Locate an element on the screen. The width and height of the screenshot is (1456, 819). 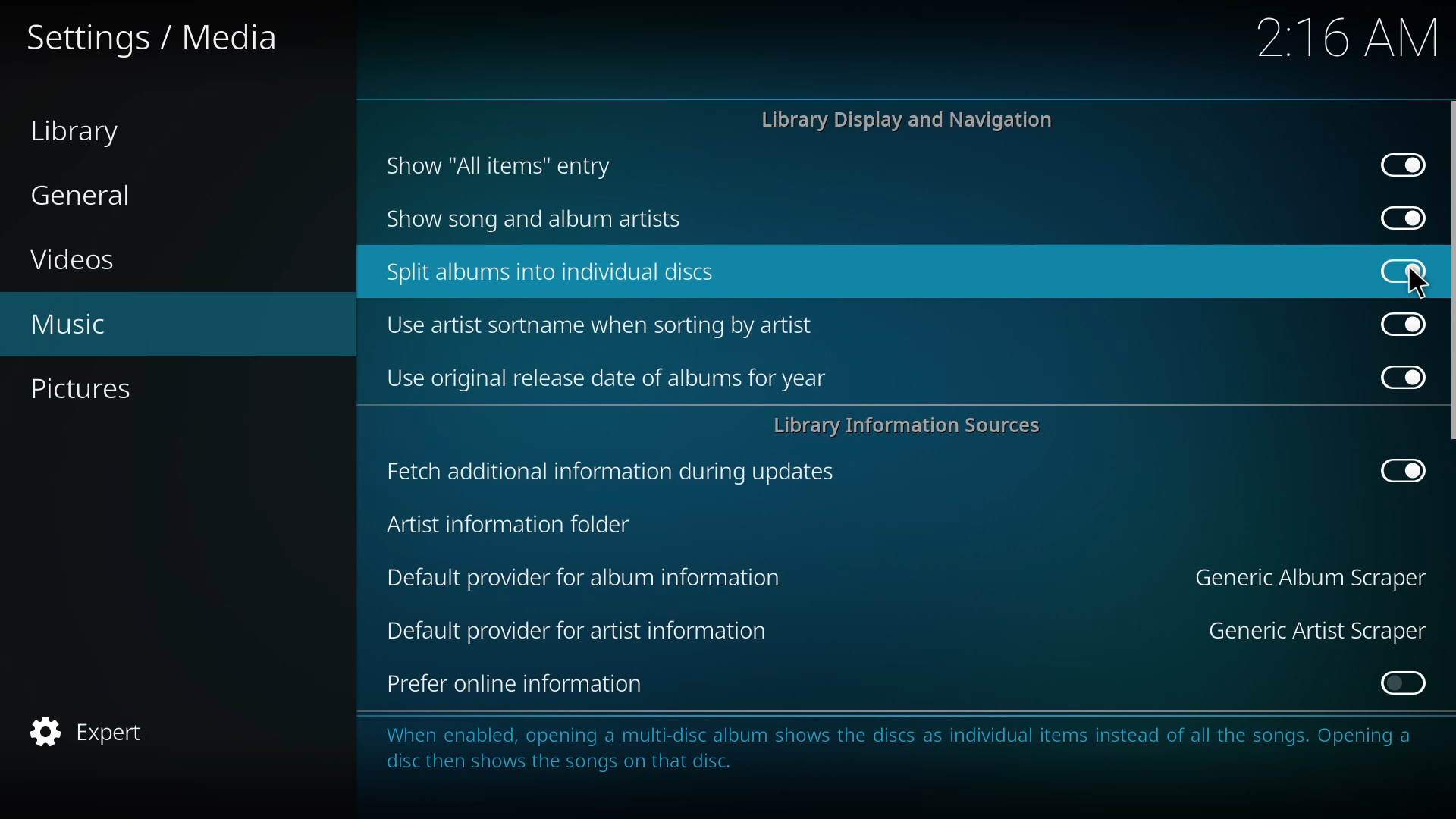
enabled is located at coordinates (1394, 375).